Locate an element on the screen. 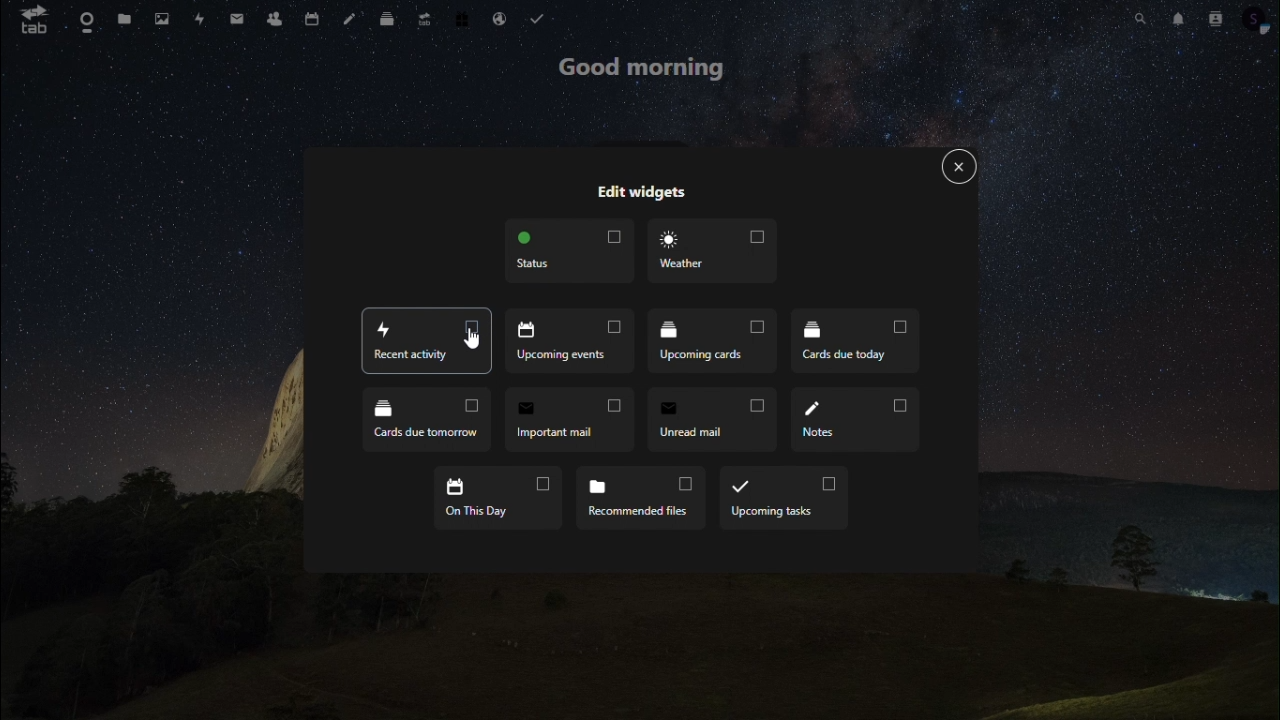 The image size is (1280, 720). on this day is located at coordinates (496, 497).